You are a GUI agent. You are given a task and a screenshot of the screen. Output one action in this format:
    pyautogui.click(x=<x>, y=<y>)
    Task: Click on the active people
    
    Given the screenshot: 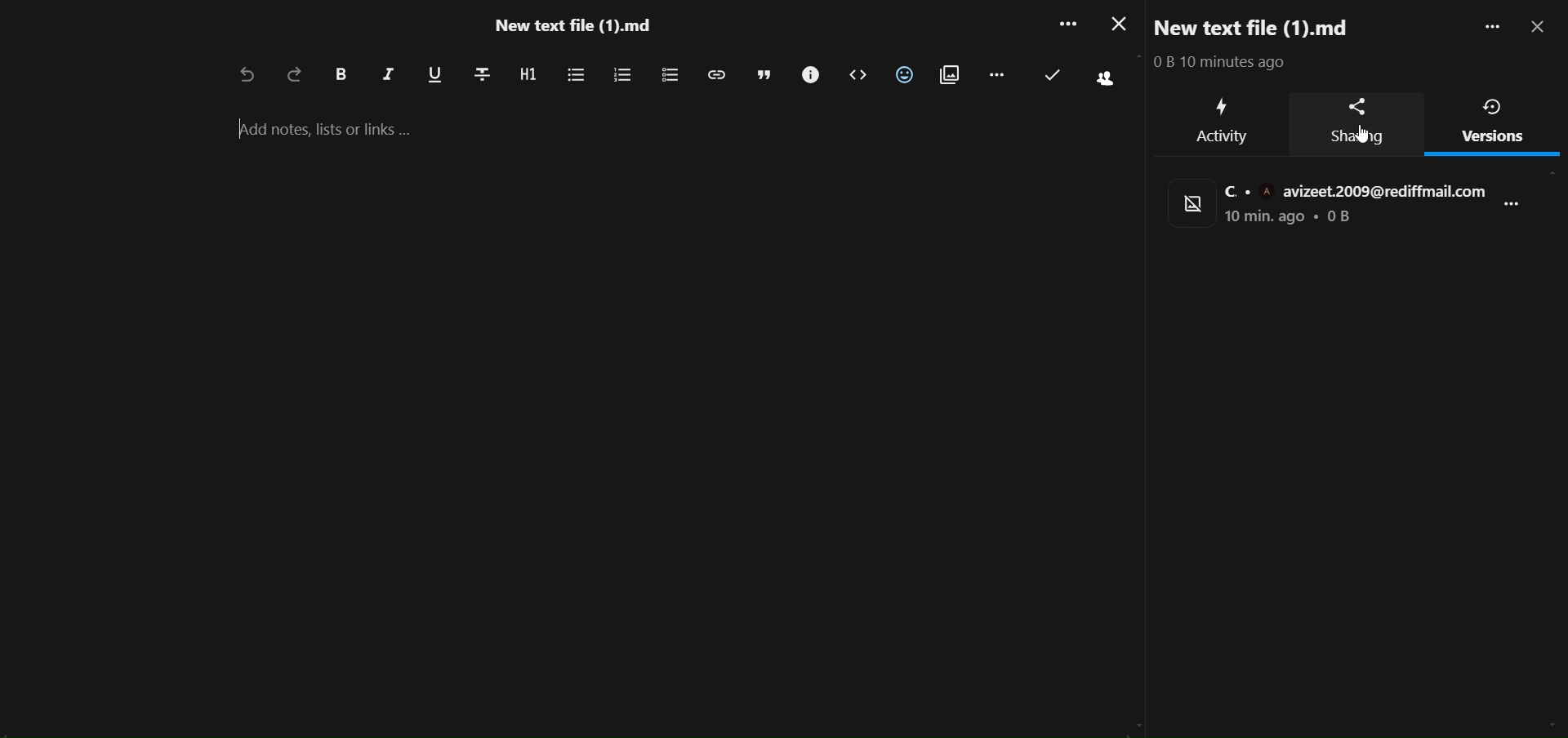 What is the action you would take?
    pyautogui.click(x=1102, y=81)
    